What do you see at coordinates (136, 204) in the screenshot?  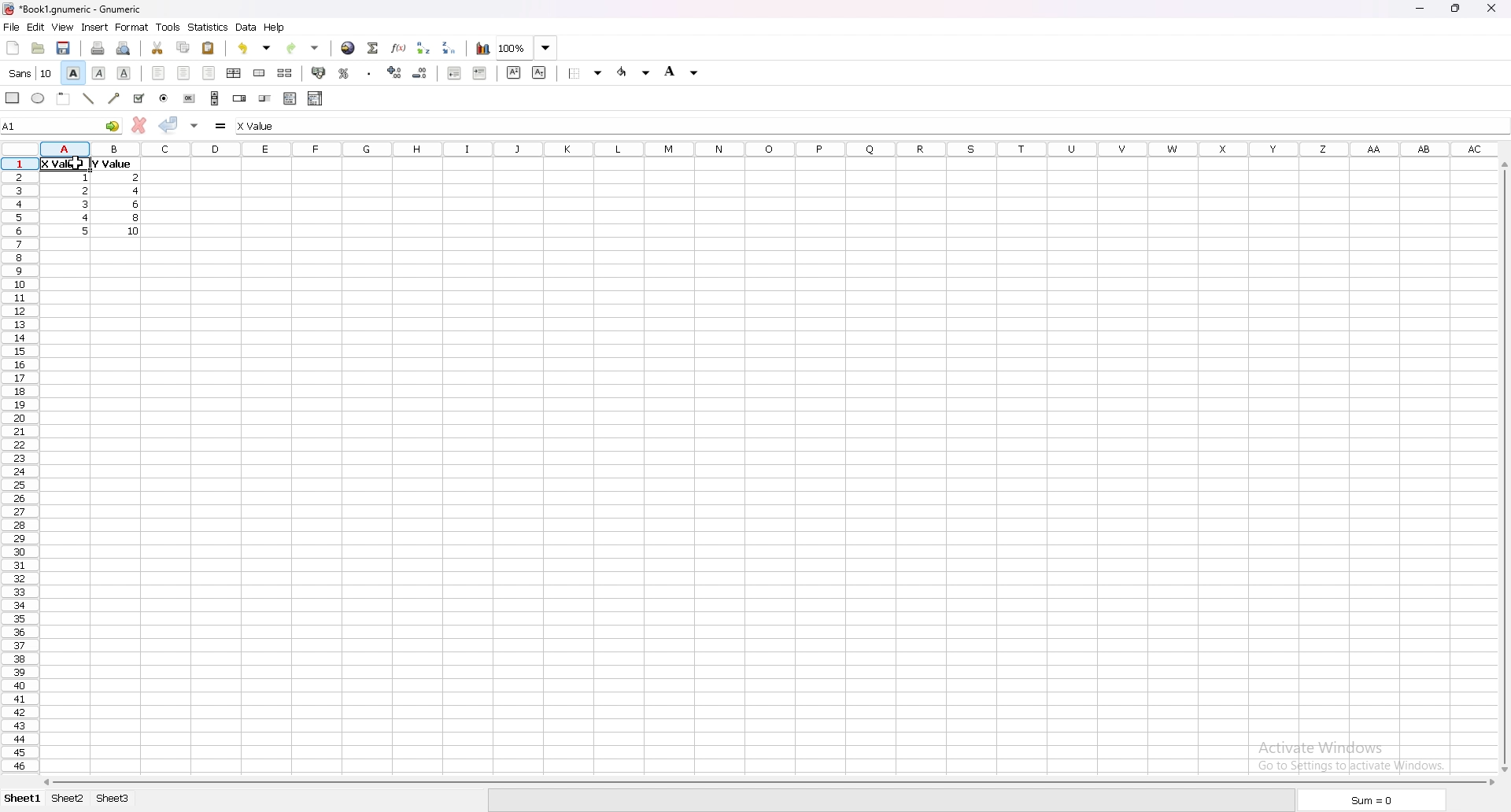 I see `value` at bounding box center [136, 204].